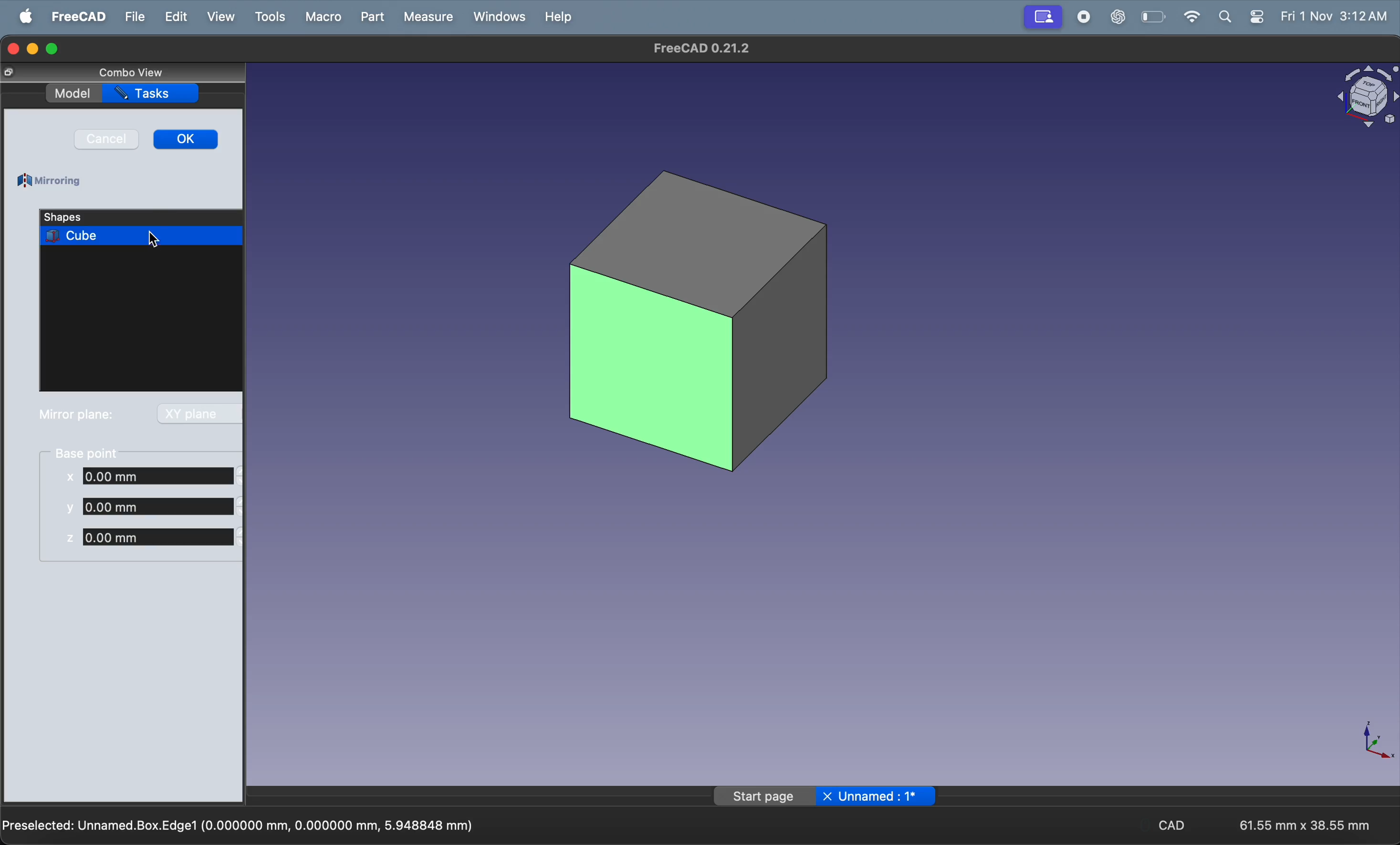  I want to click on cad, so click(1174, 824).